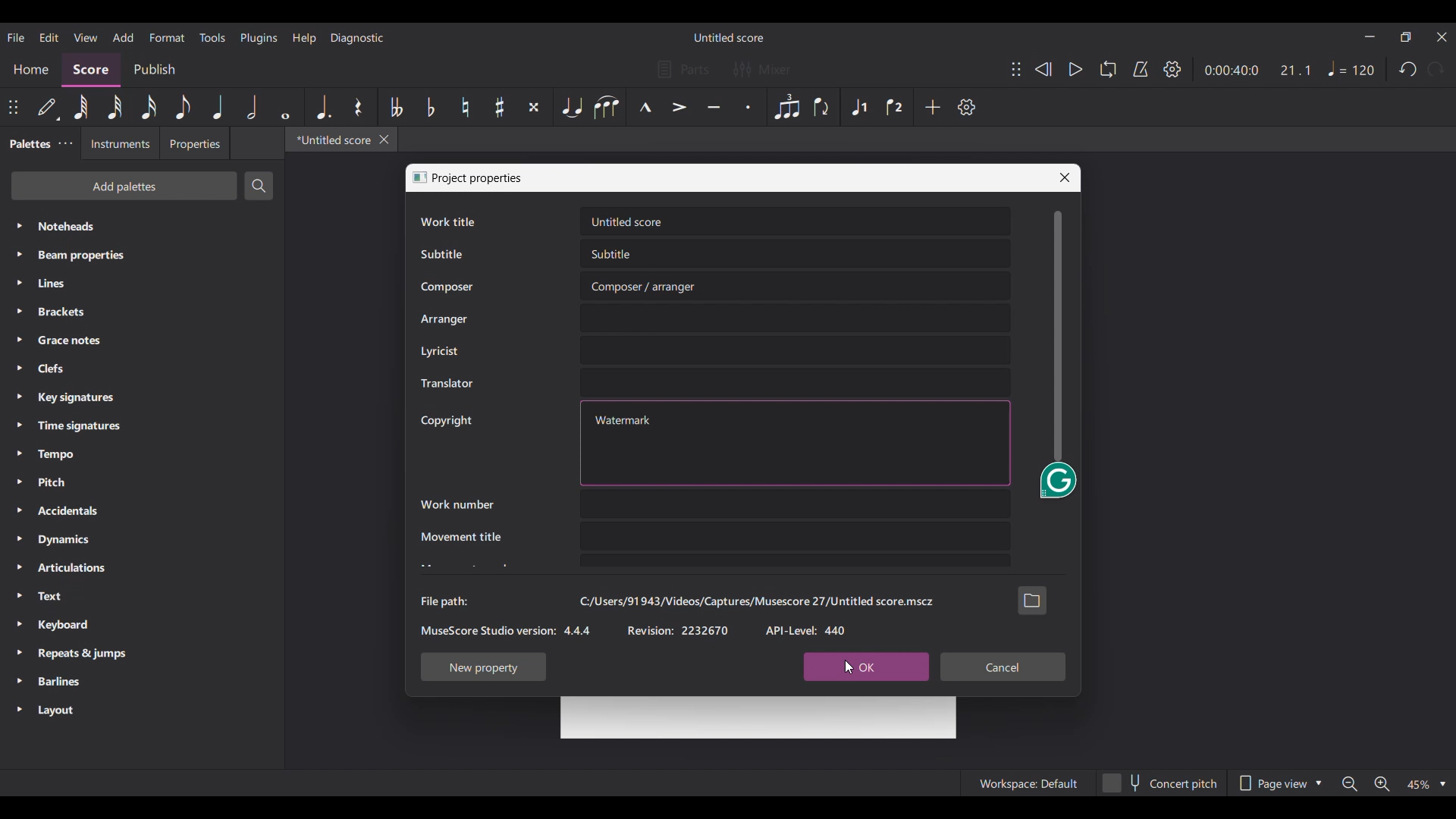 This screenshot has width=1456, height=819. Describe the element at coordinates (1065, 177) in the screenshot. I see `Close` at that location.